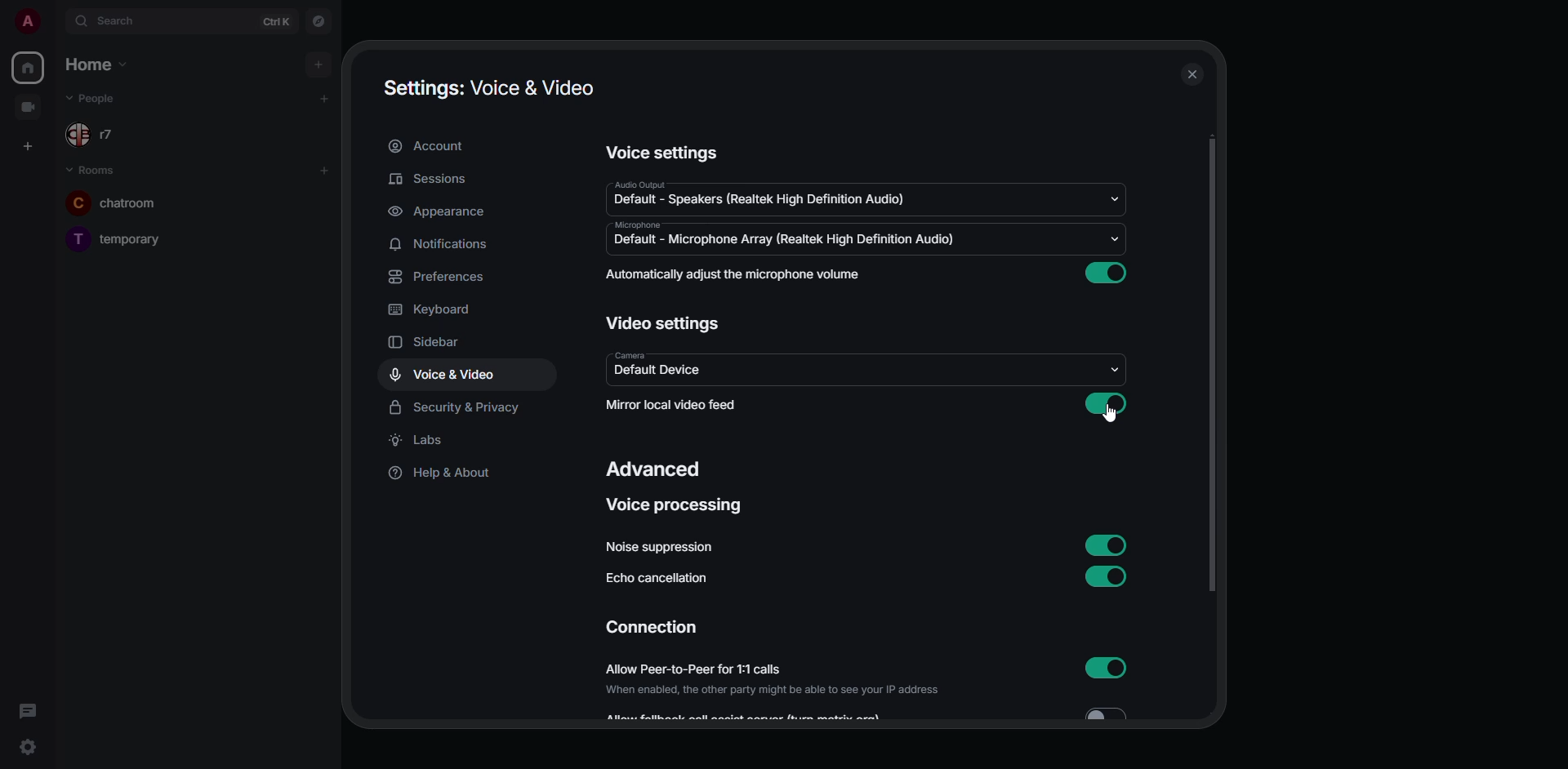  Describe the element at coordinates (276, 21) in the screenshot. I see `ctrl K` at that location.